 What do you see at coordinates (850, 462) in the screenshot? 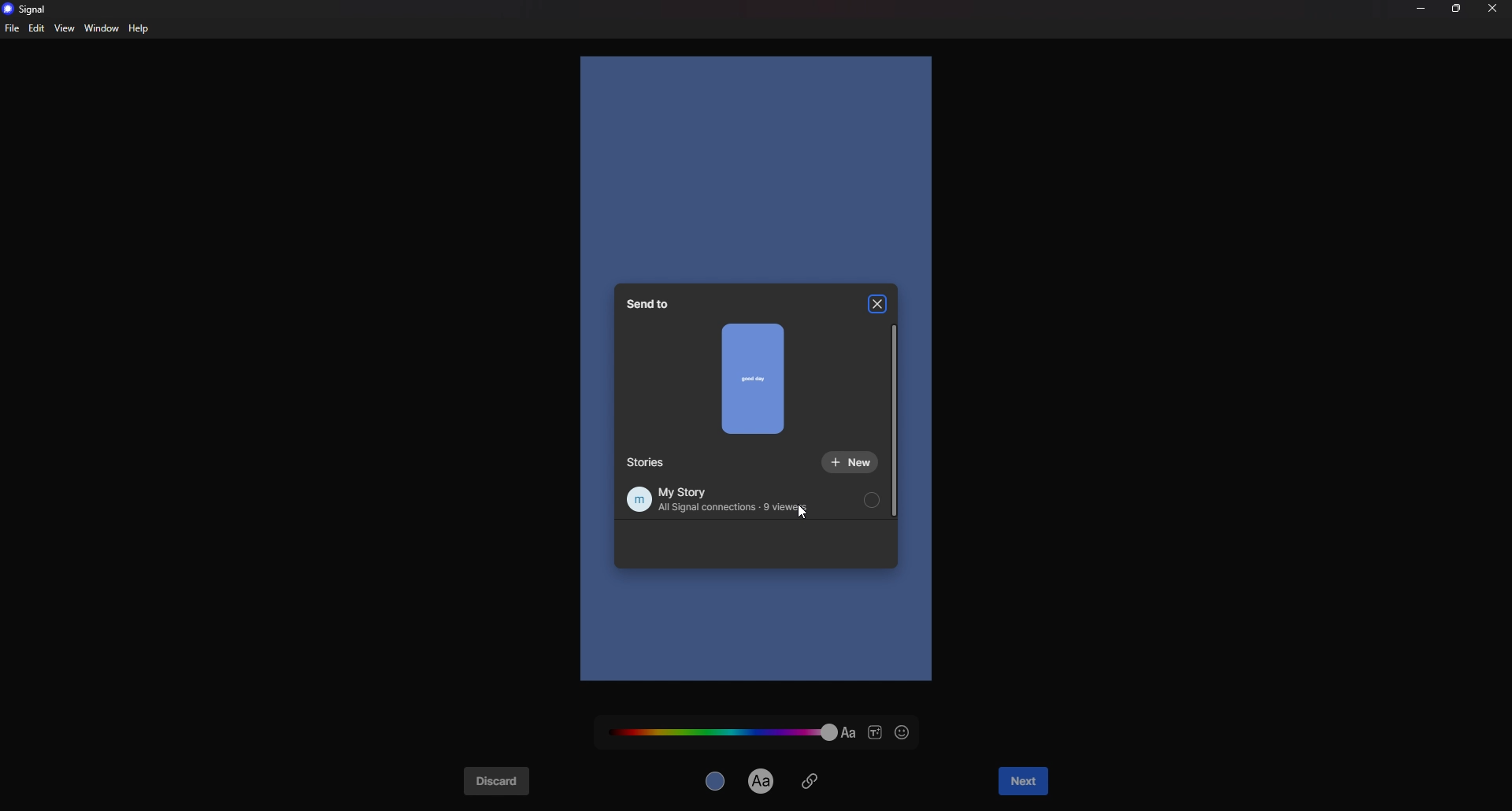
I see `new` at bounding box center [850, 462].